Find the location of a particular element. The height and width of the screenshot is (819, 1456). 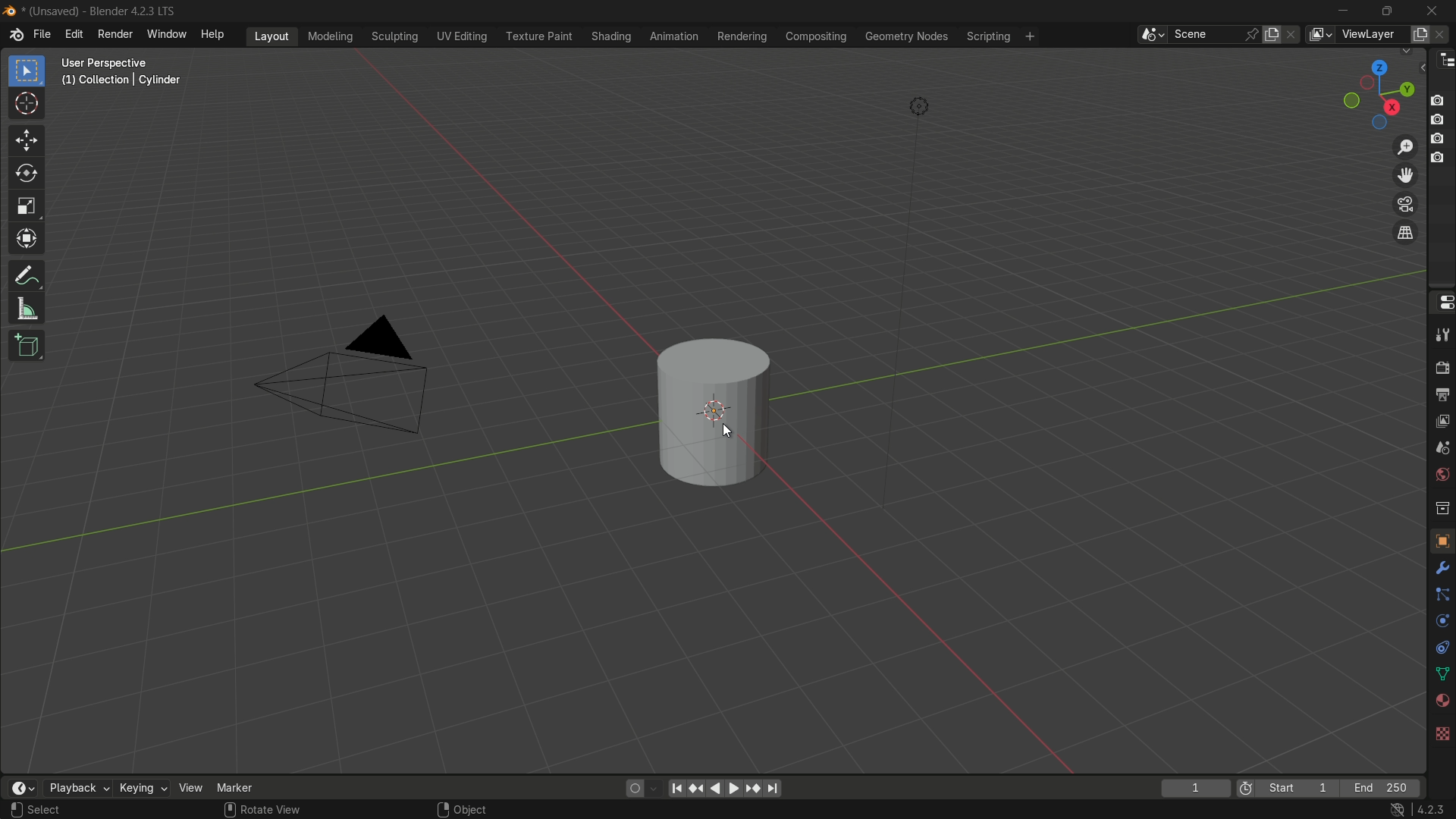

close app is located at coordinates (1435, 10).